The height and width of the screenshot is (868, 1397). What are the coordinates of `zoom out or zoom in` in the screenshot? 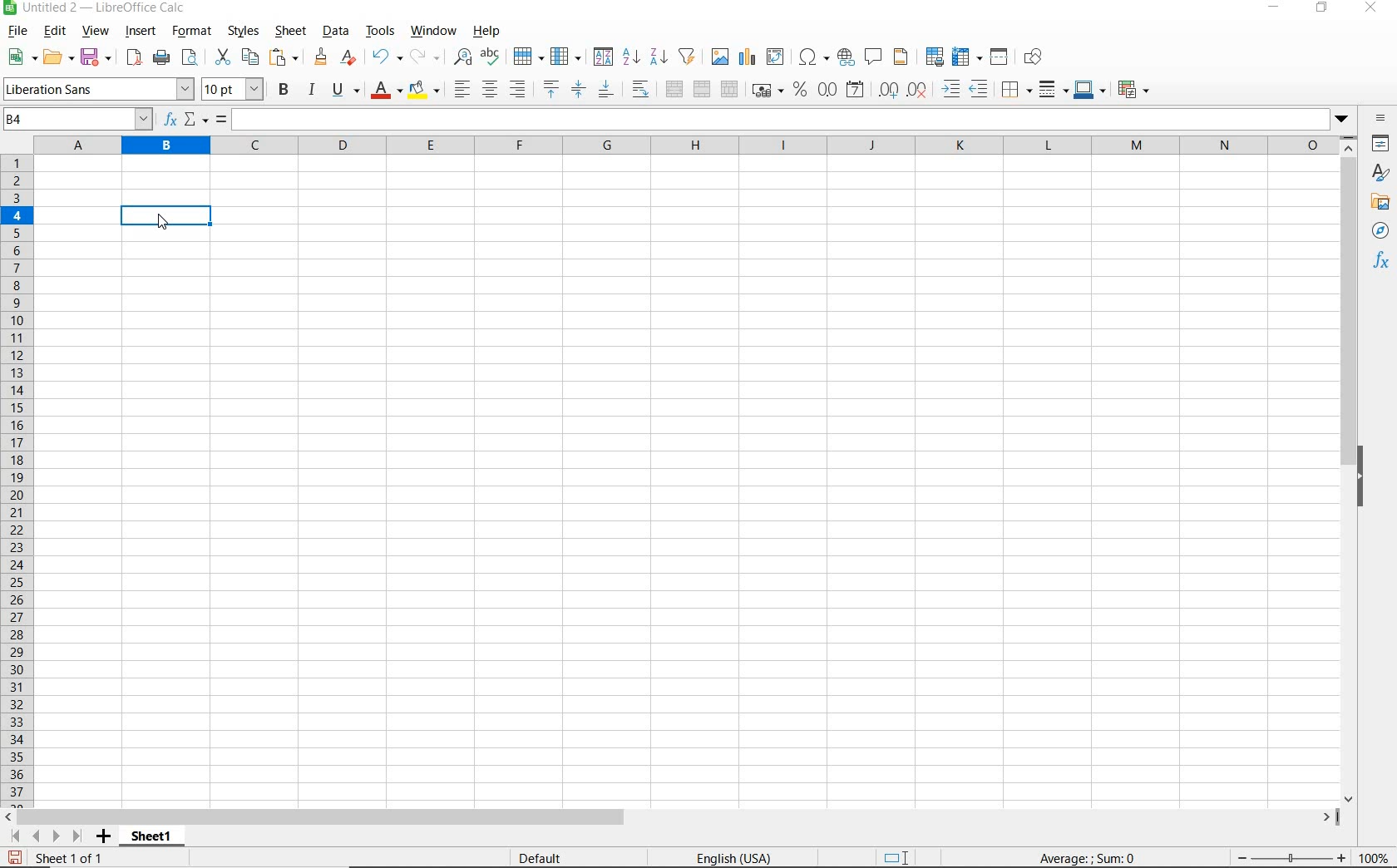 It's located at (1290, 857).